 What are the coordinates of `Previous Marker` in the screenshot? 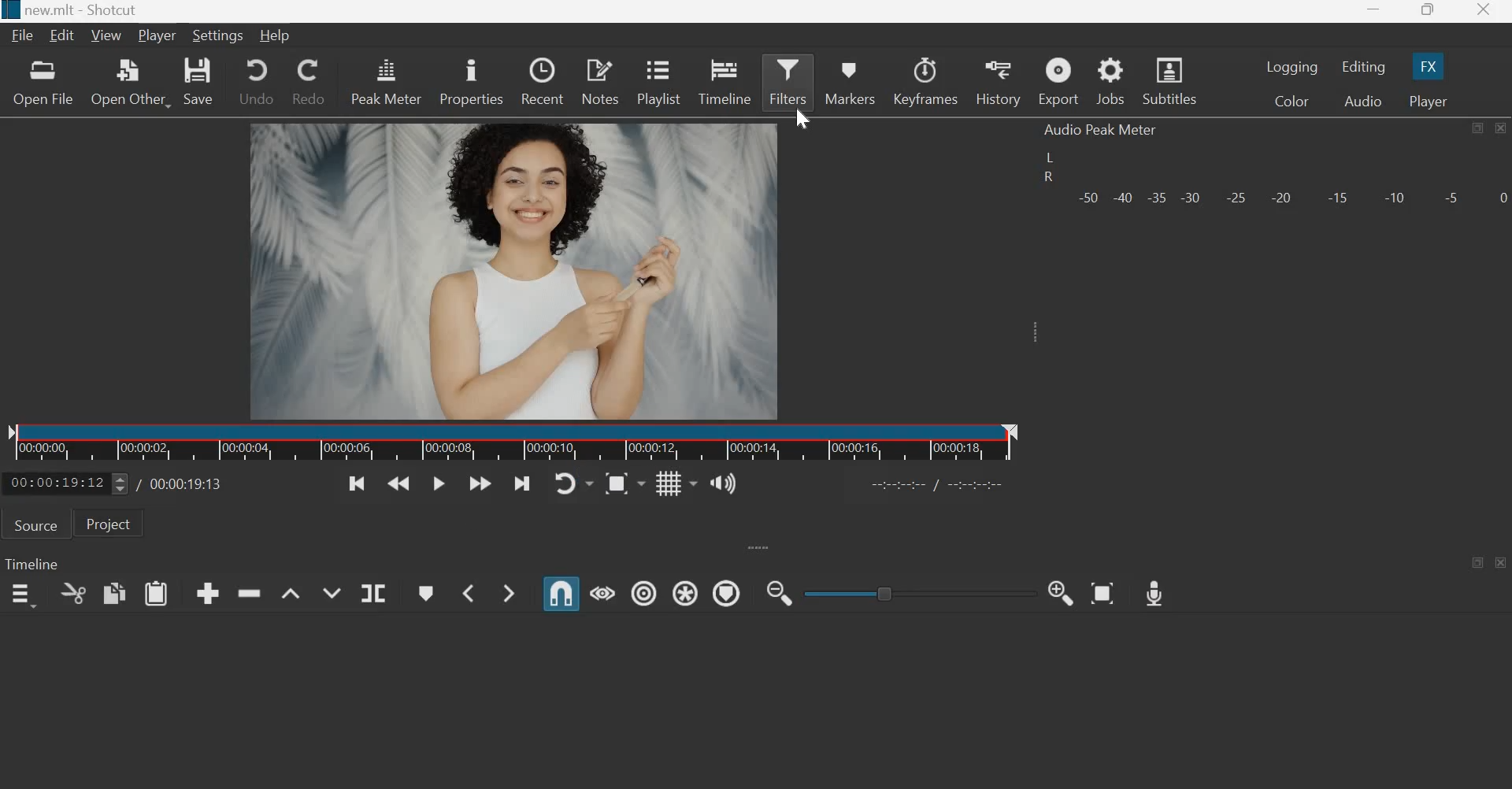 It's located at (468, 592).